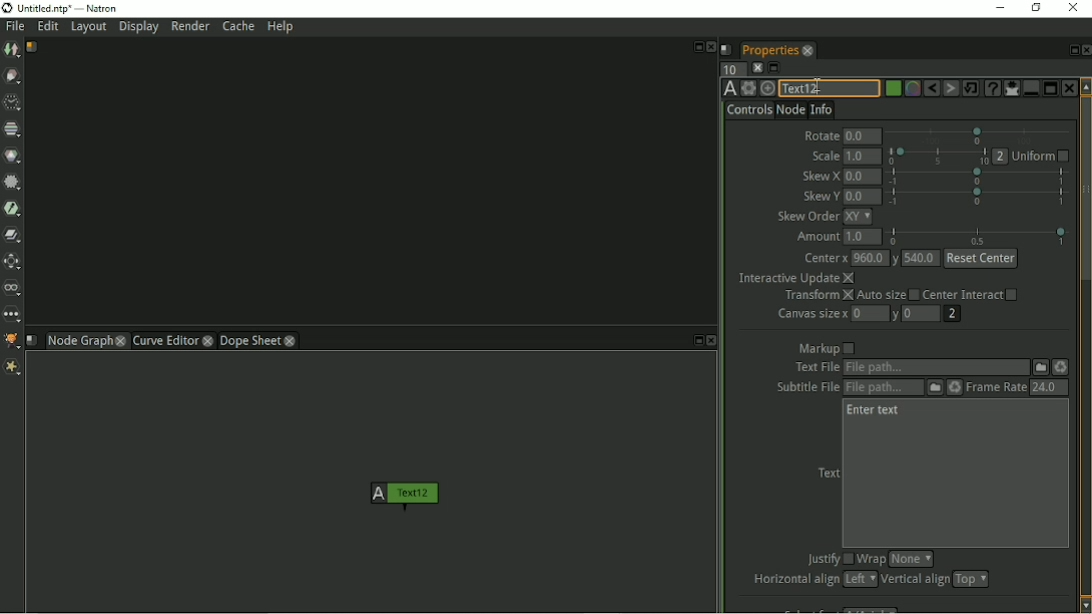  What do you see at coordinates (911, 89) in the screenshot?
I see `Overlay color` at bounding box center [911, 89].